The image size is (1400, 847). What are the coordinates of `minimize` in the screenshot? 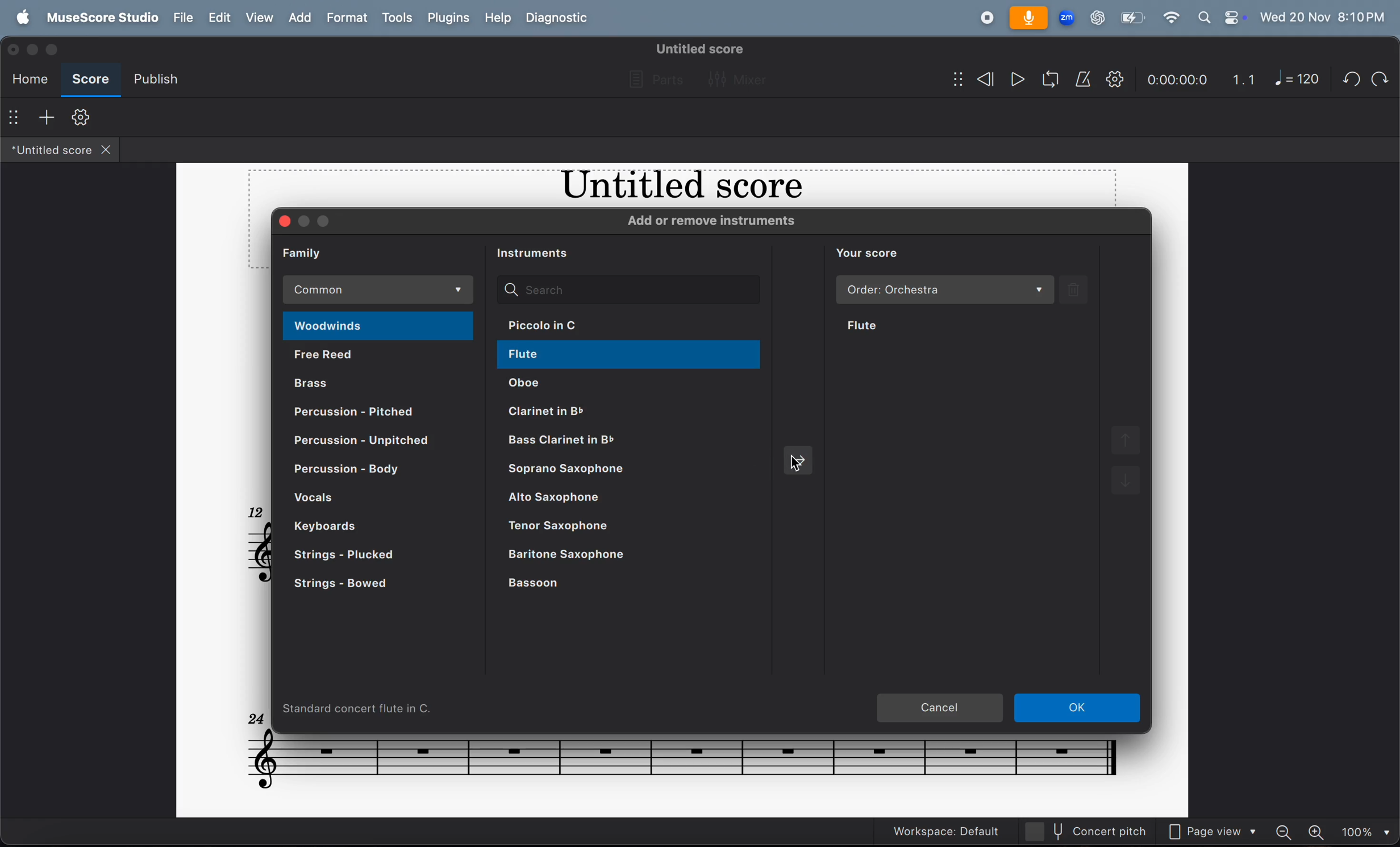 It's located at (306, 220).